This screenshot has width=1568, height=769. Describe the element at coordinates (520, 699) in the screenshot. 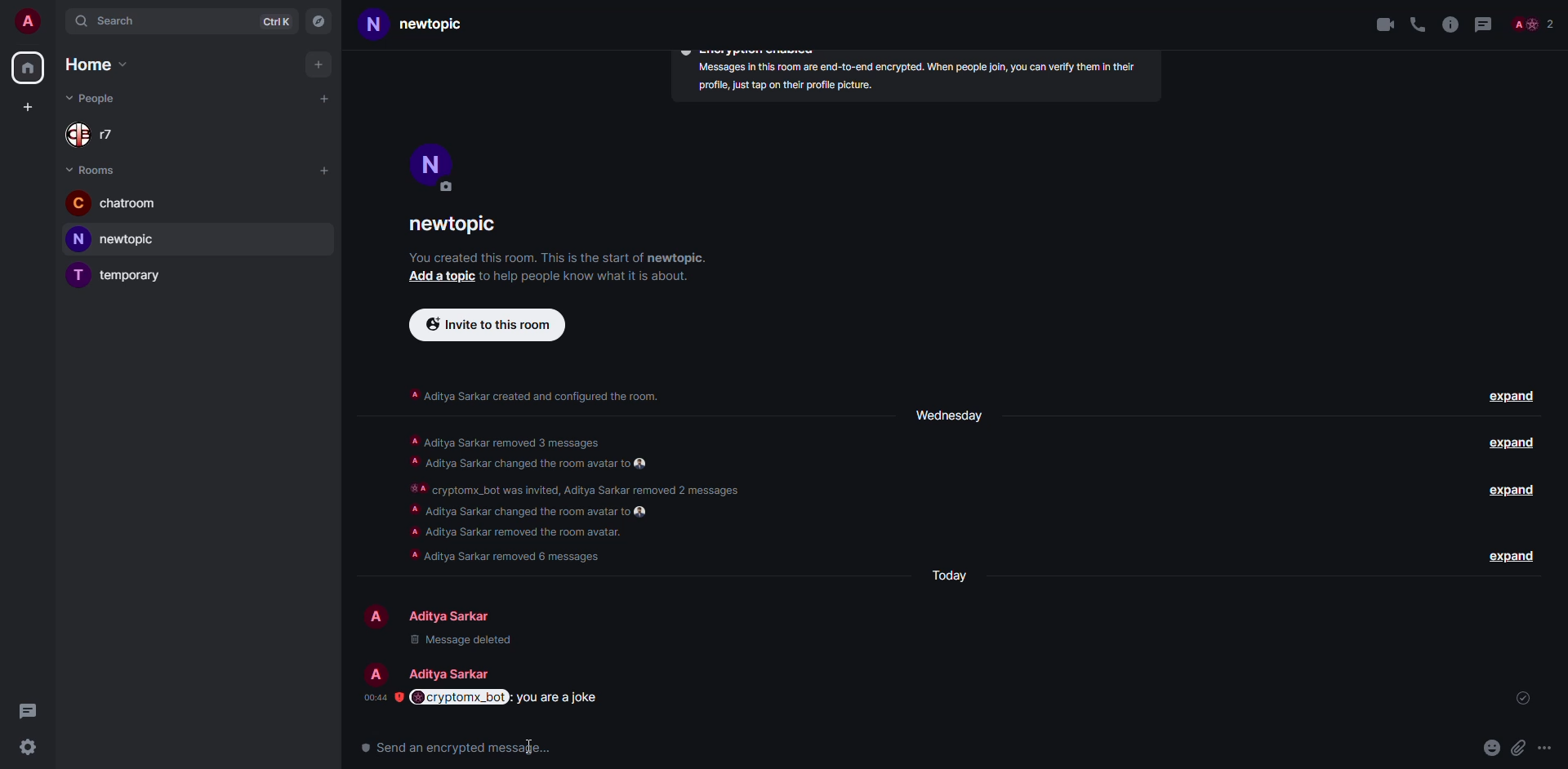

I see `mention joke` at that location.